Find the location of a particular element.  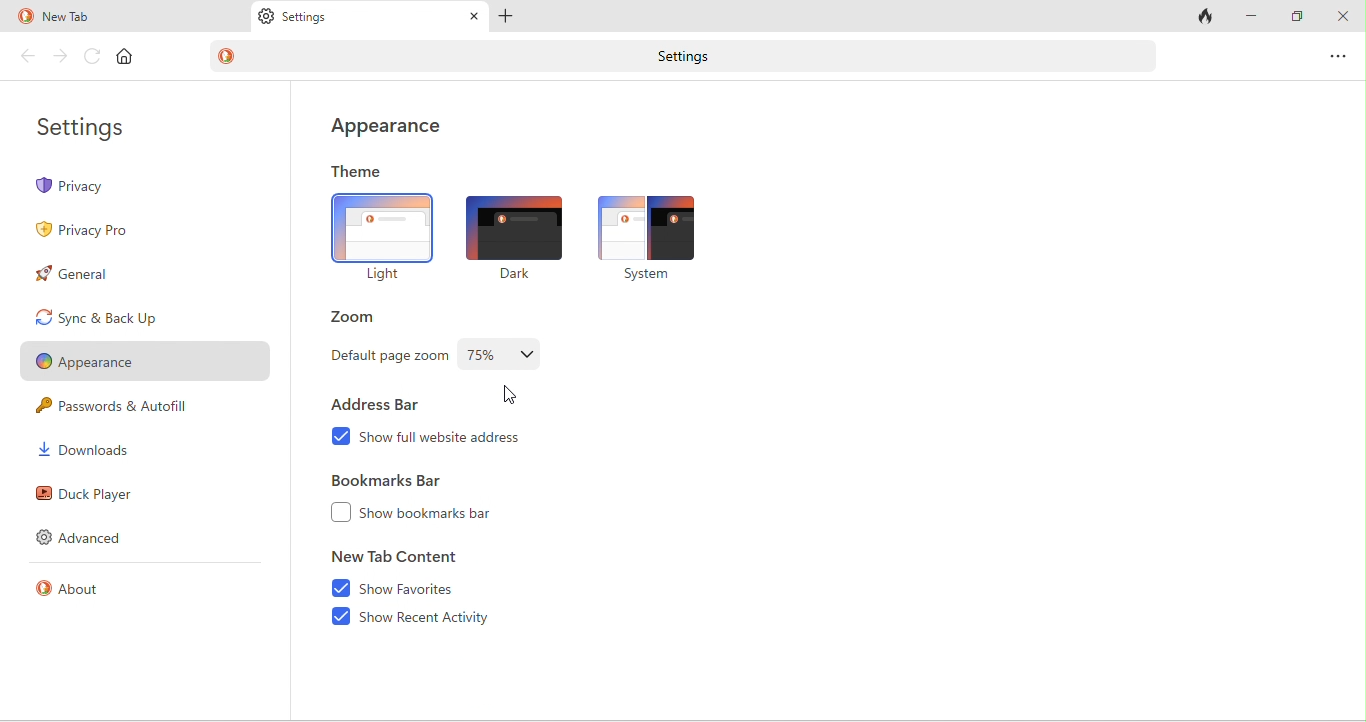

system is located at coordinates (650, 239).